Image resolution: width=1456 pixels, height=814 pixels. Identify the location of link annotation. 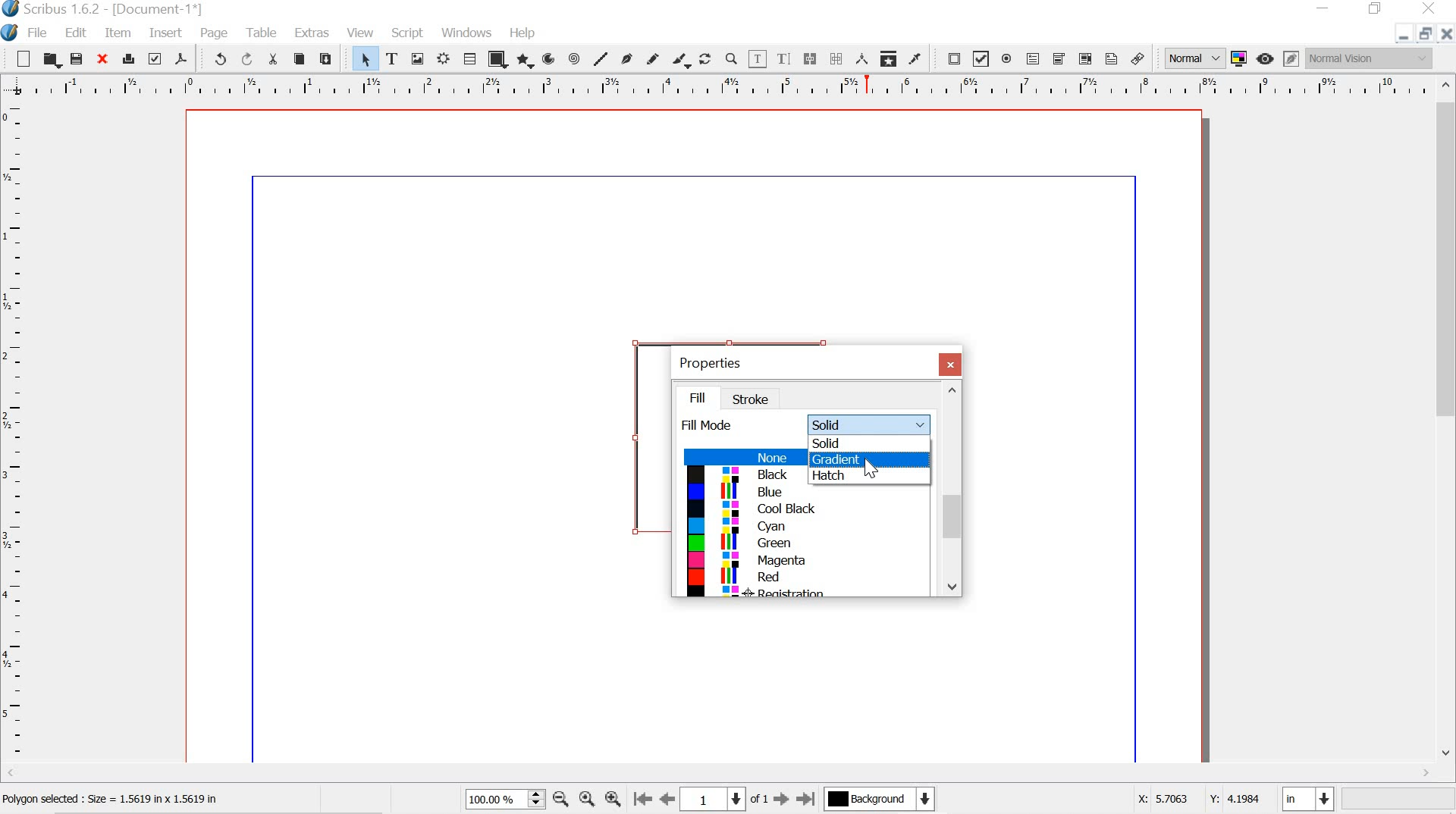
(1138, 56).